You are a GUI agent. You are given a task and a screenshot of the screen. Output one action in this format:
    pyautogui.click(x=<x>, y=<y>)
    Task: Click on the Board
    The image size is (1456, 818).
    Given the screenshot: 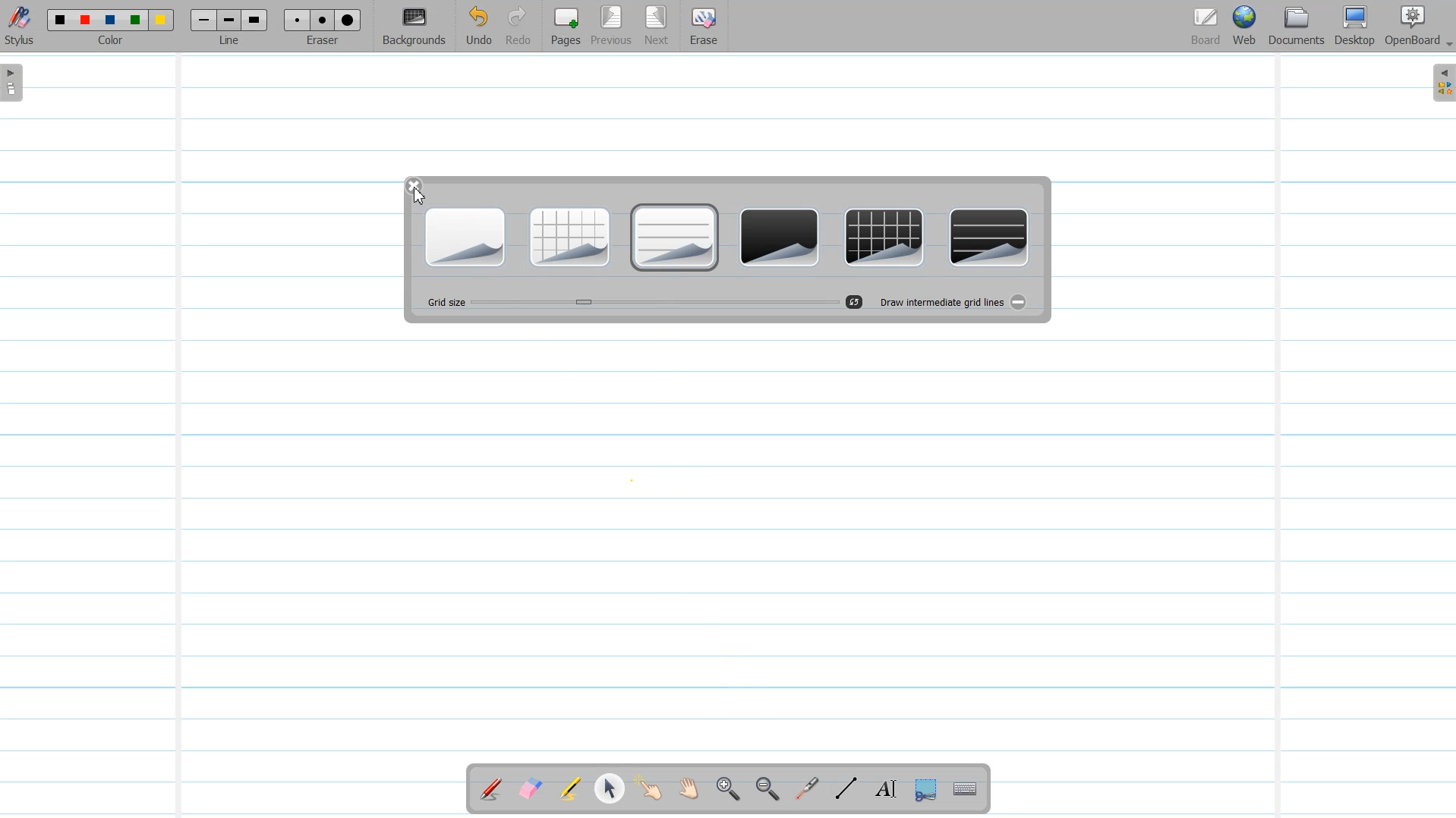 What is the action you would take?
    pyautogui.click(x=1205, y=27)
    